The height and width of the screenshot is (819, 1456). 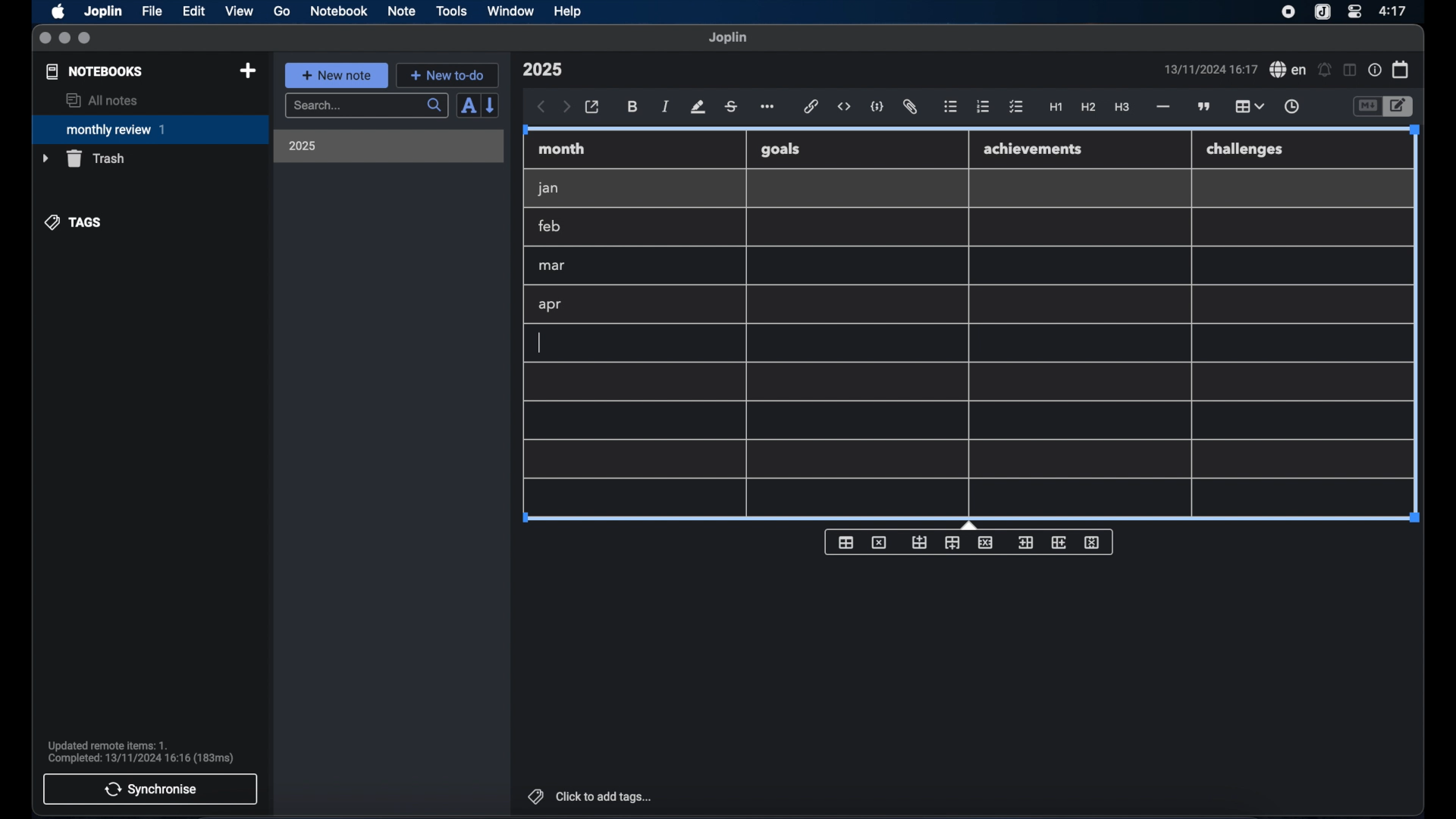 What do you see at coordinates (1291, 107) in the screenshot?
I see `insert time` at bounding box center [1291, 107].